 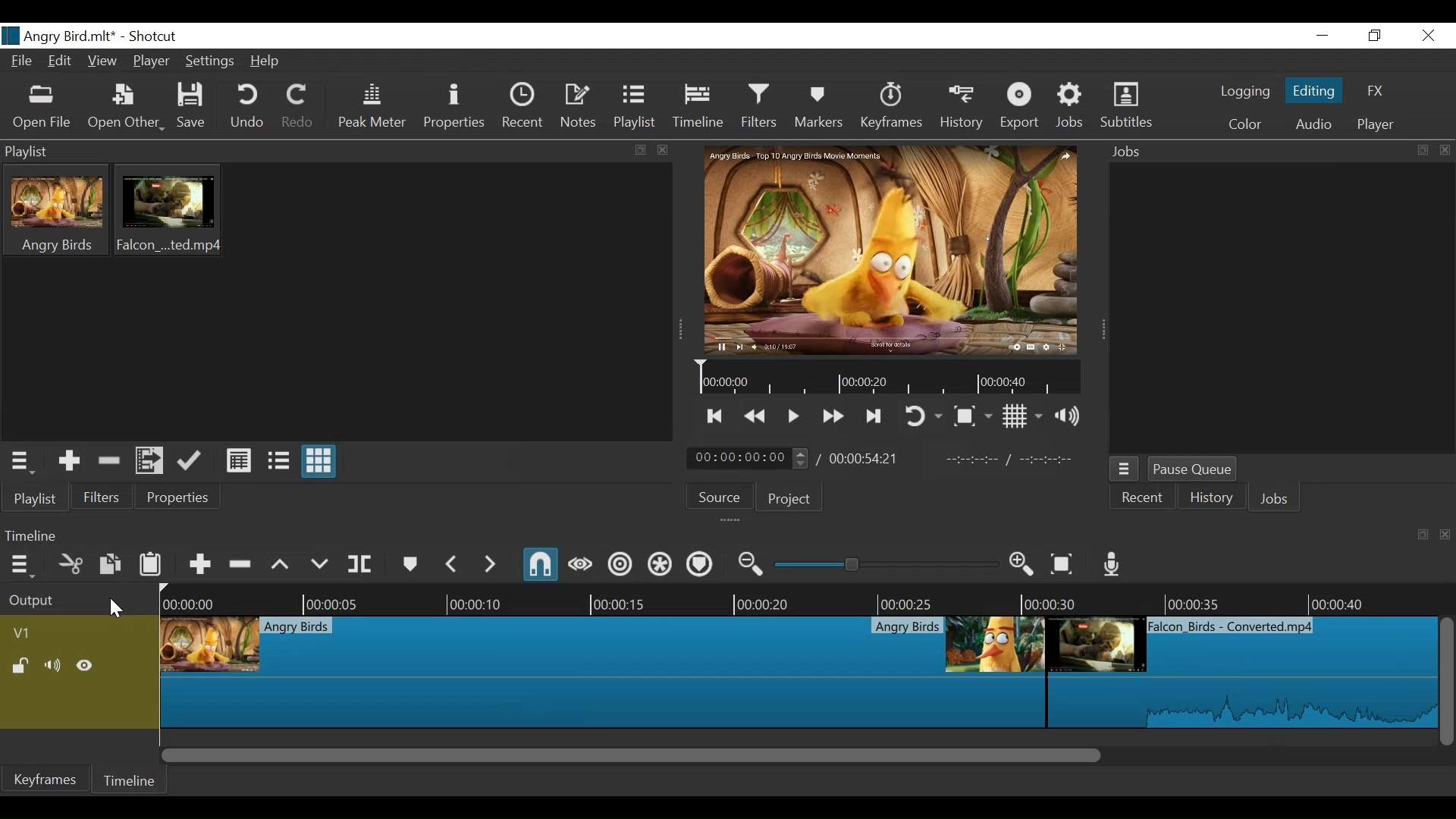 I want to click on Playlist Panel, so click(x=337, y=152).